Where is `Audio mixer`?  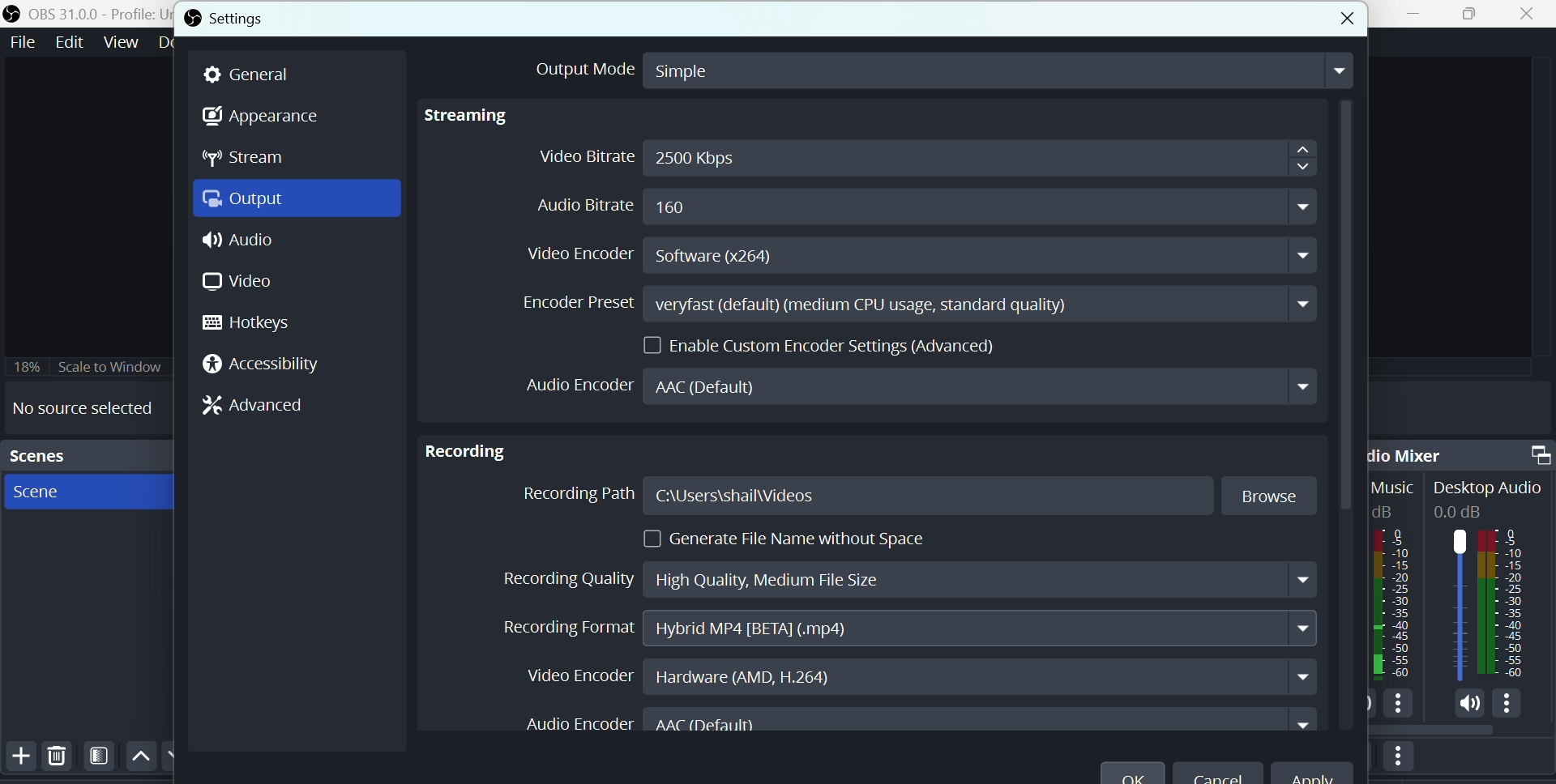
Audio mixer is located at coordinates (1459, 452).